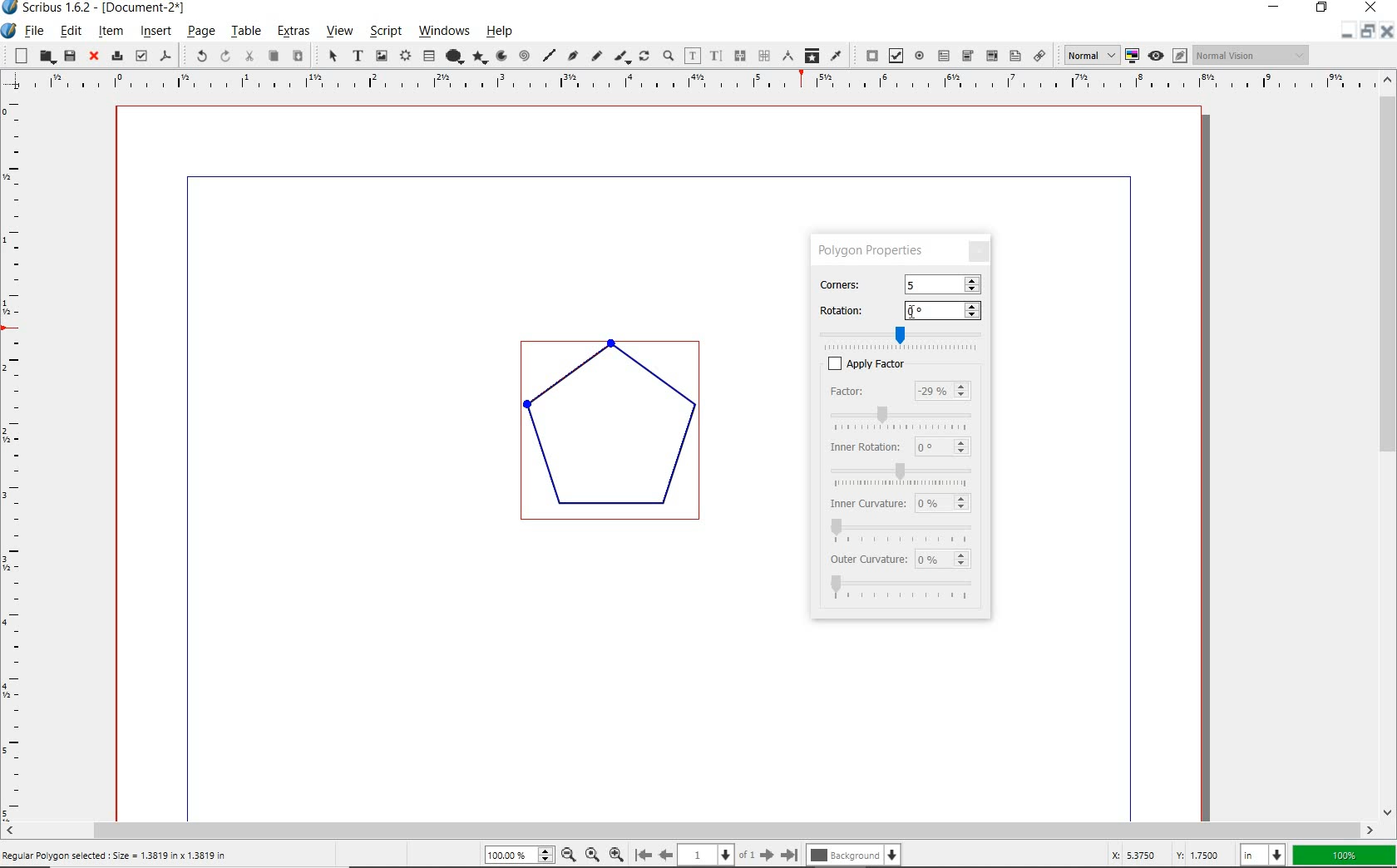 This screenshot has width=1397, height=868. Describe the element at coordinates (330, 56) in the screenshot. I see `select item` at that location.